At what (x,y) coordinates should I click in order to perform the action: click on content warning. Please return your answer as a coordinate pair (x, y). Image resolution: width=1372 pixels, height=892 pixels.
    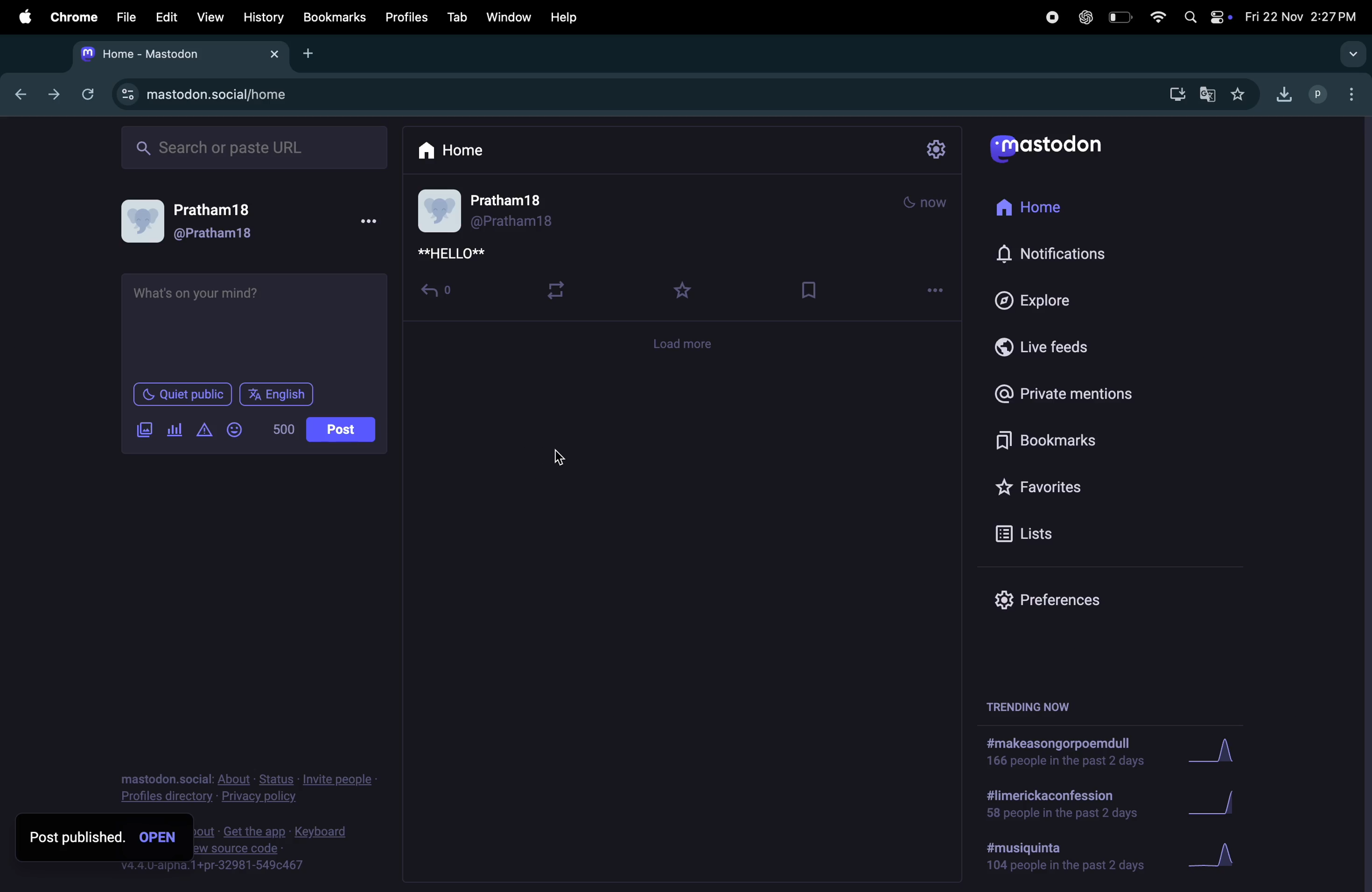
    Looking at the image, I should click on (203, 430).